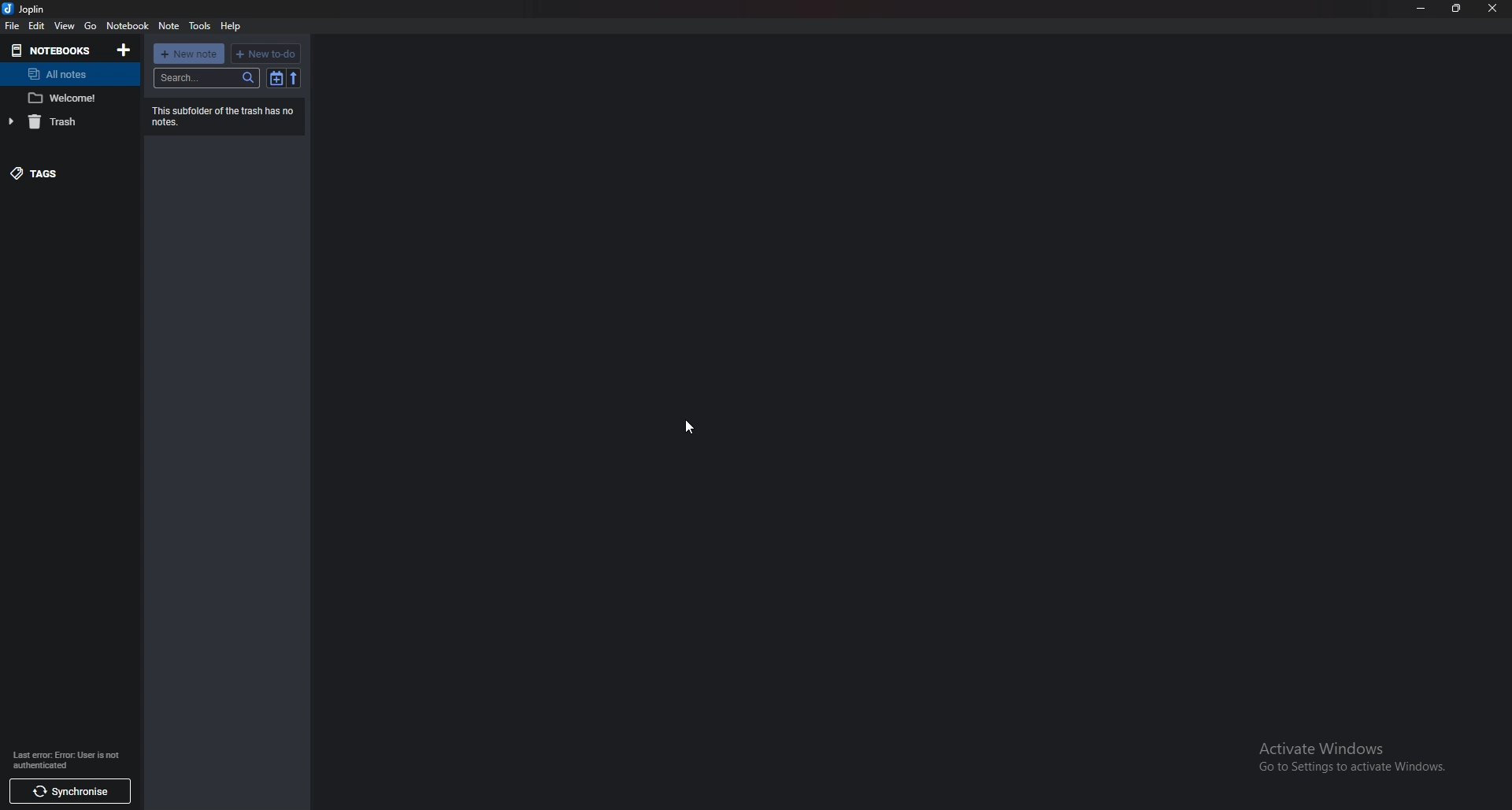  Describe the element at coordinates (169, 26) in the screenshot. I see `Note` at that location.